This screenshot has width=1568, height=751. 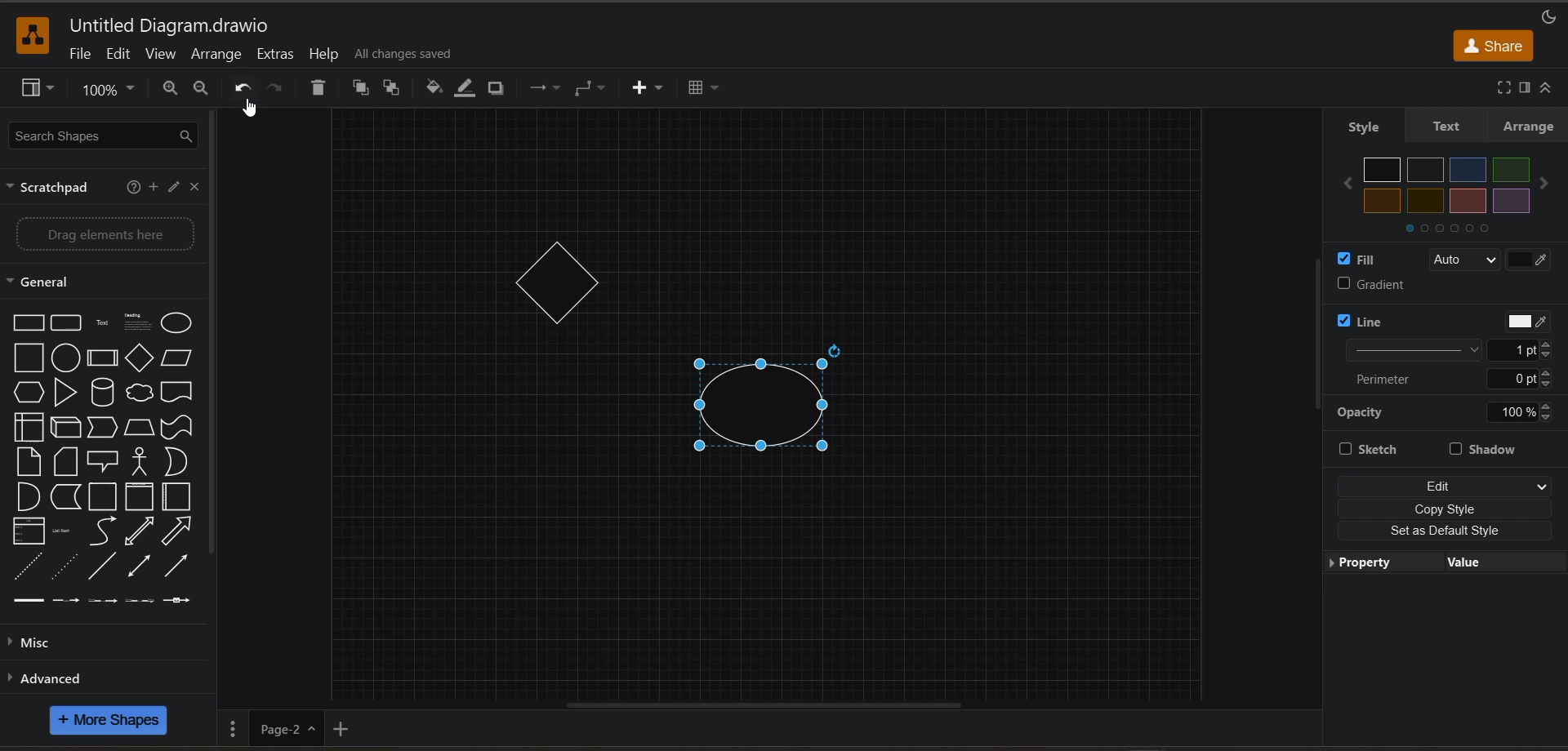 What do you see at coordinates (68, 323) in the screenshot?
I see `Rounded Rectangle` at bounding box center [68, 323].